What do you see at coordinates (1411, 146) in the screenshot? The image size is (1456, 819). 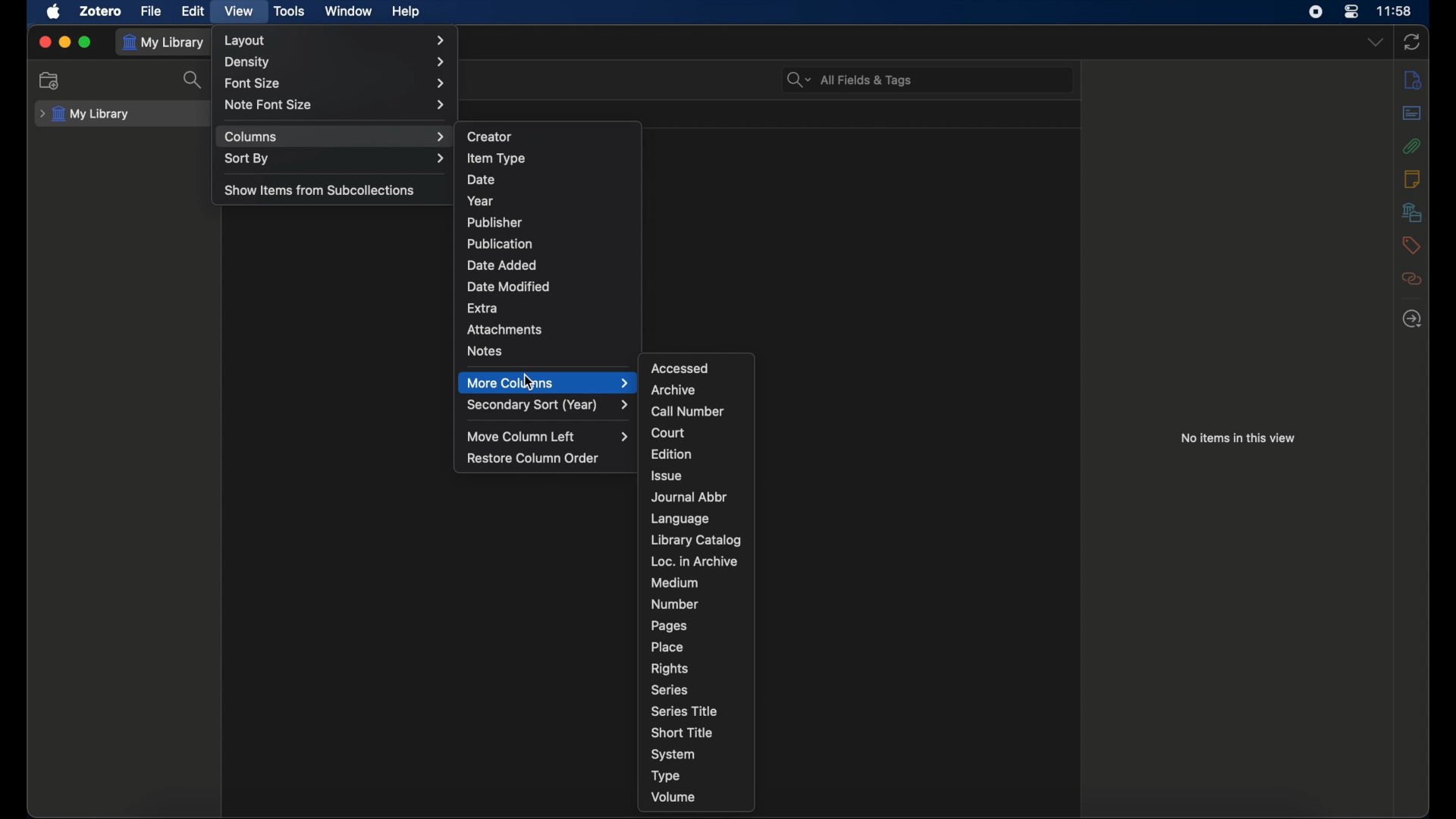 I see `attachments` at bounding box center [1411, 146].